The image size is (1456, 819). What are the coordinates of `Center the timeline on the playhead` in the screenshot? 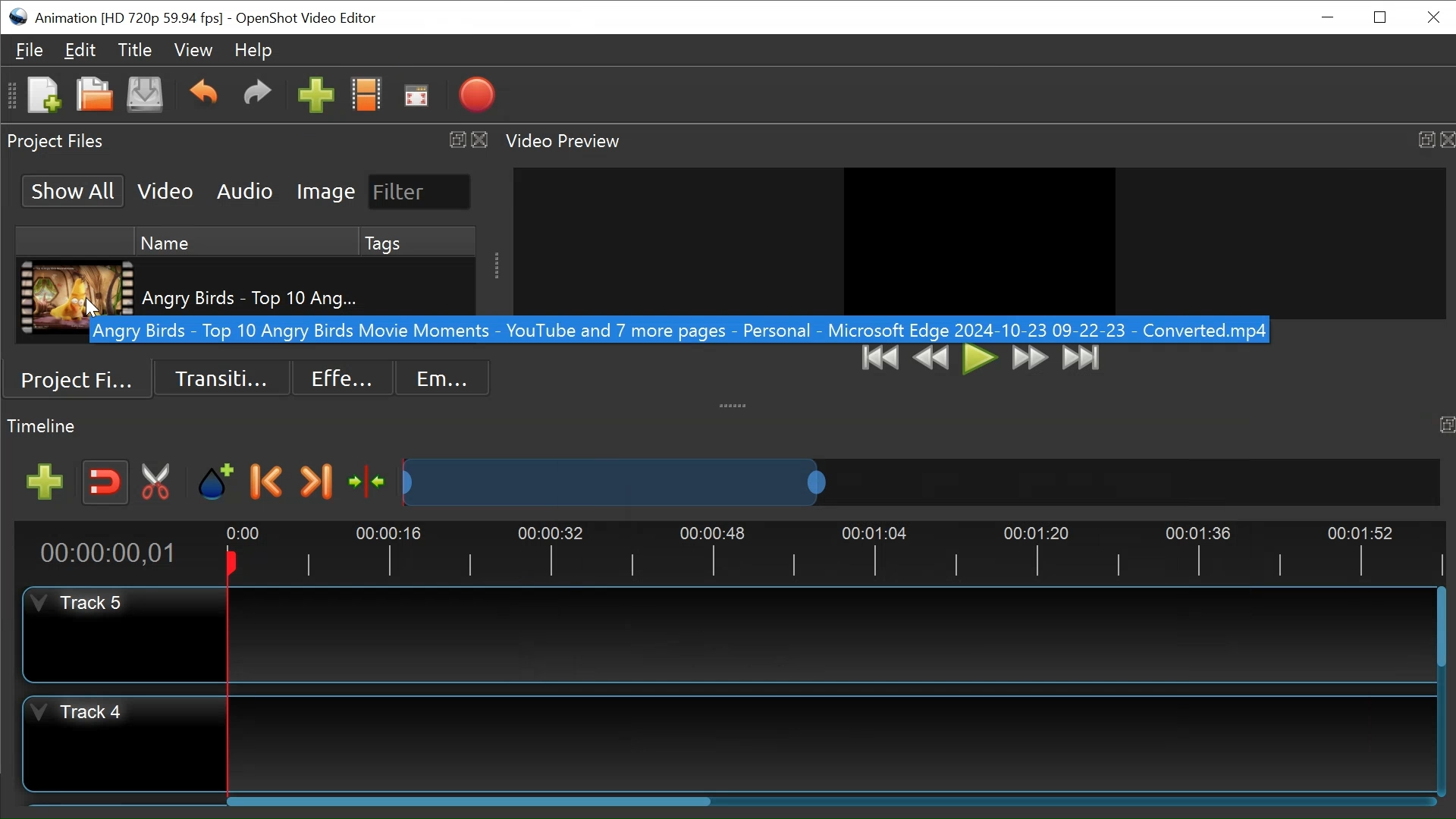 It's located at (368, 482).